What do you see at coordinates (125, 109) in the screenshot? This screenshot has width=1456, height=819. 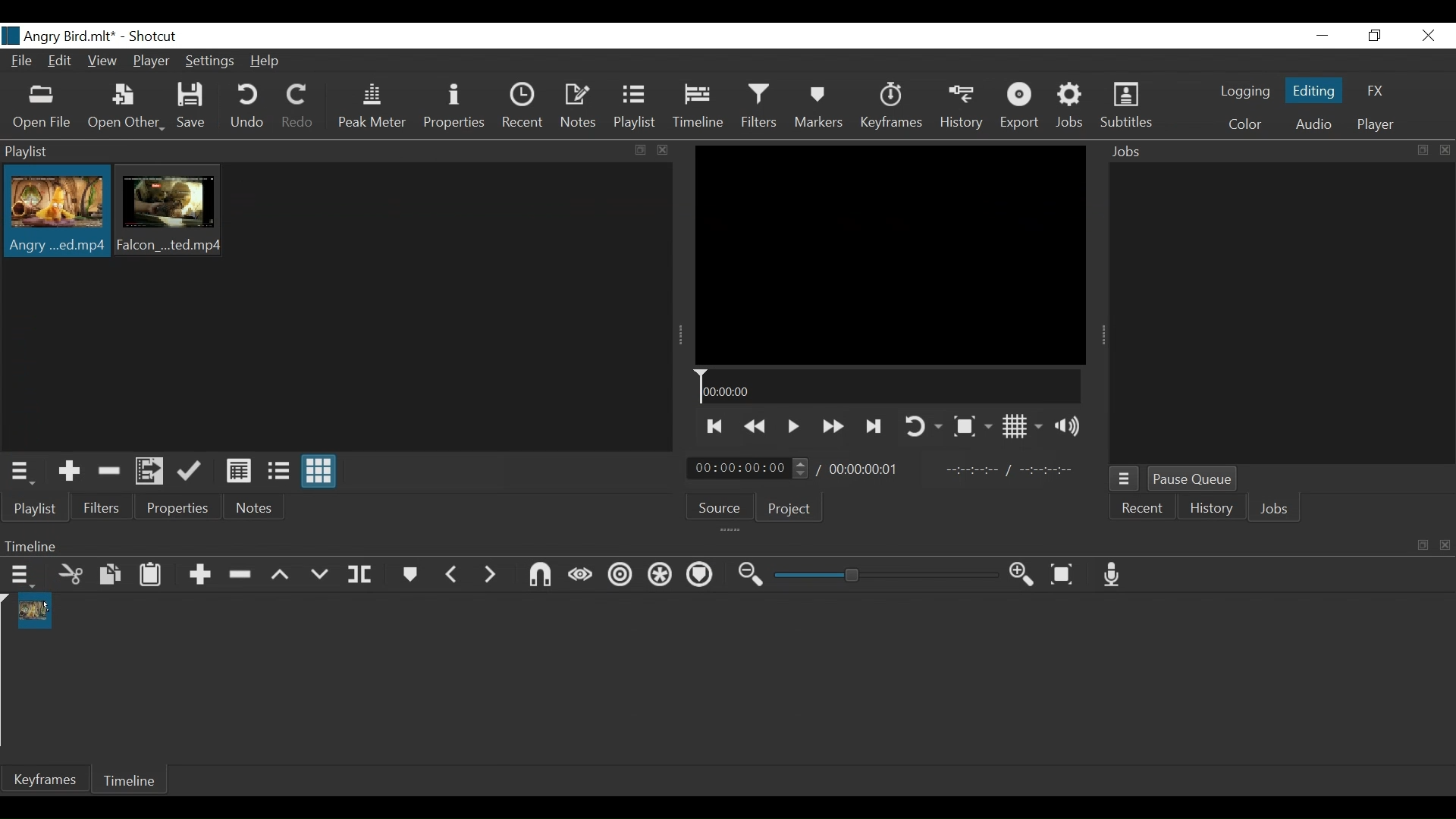 I see `Open Other` at bounding box center [125, 109].